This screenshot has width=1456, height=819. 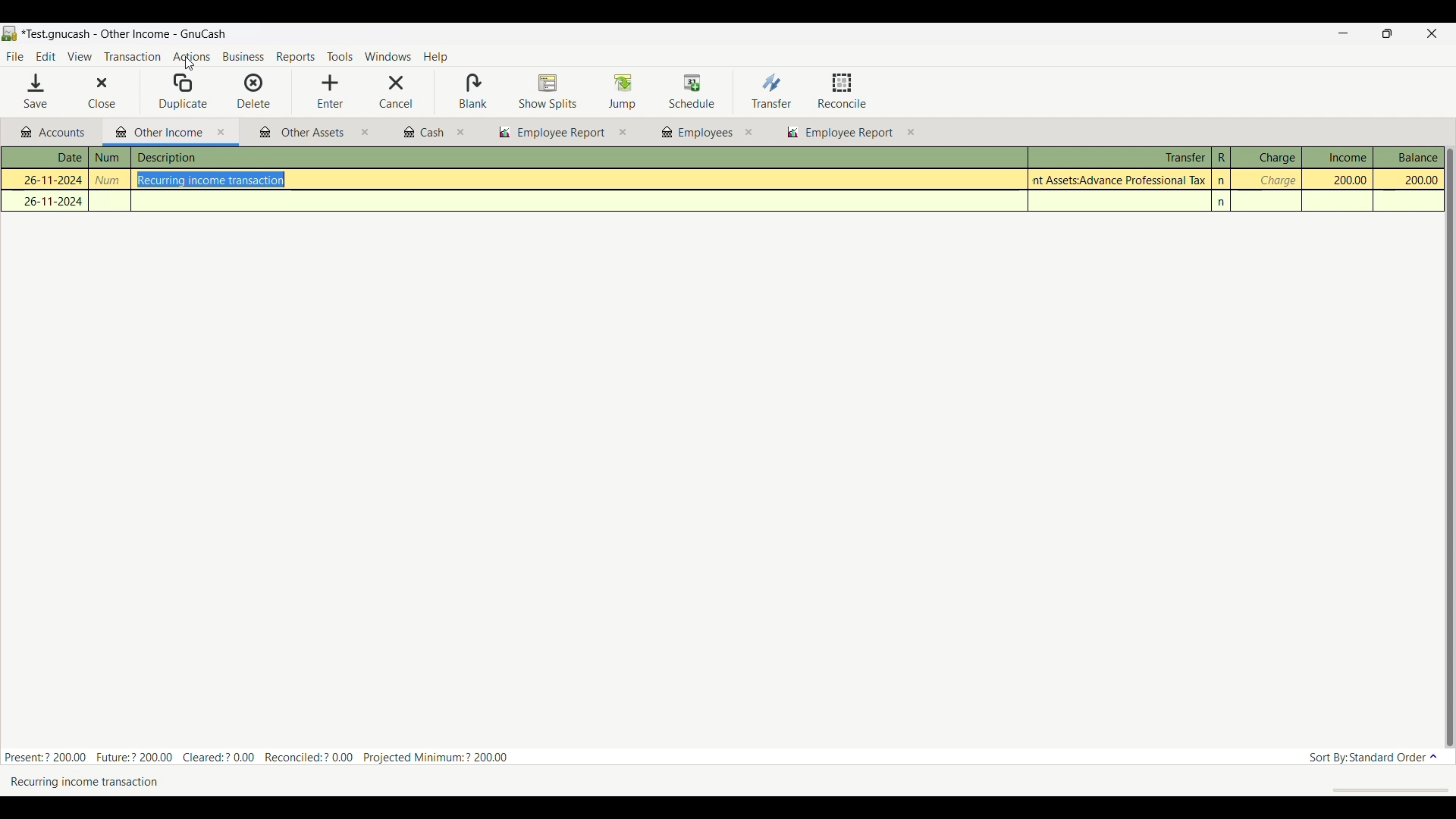 I want to click on Cursor clicking on Actions menu, so click(x=189, y=64).